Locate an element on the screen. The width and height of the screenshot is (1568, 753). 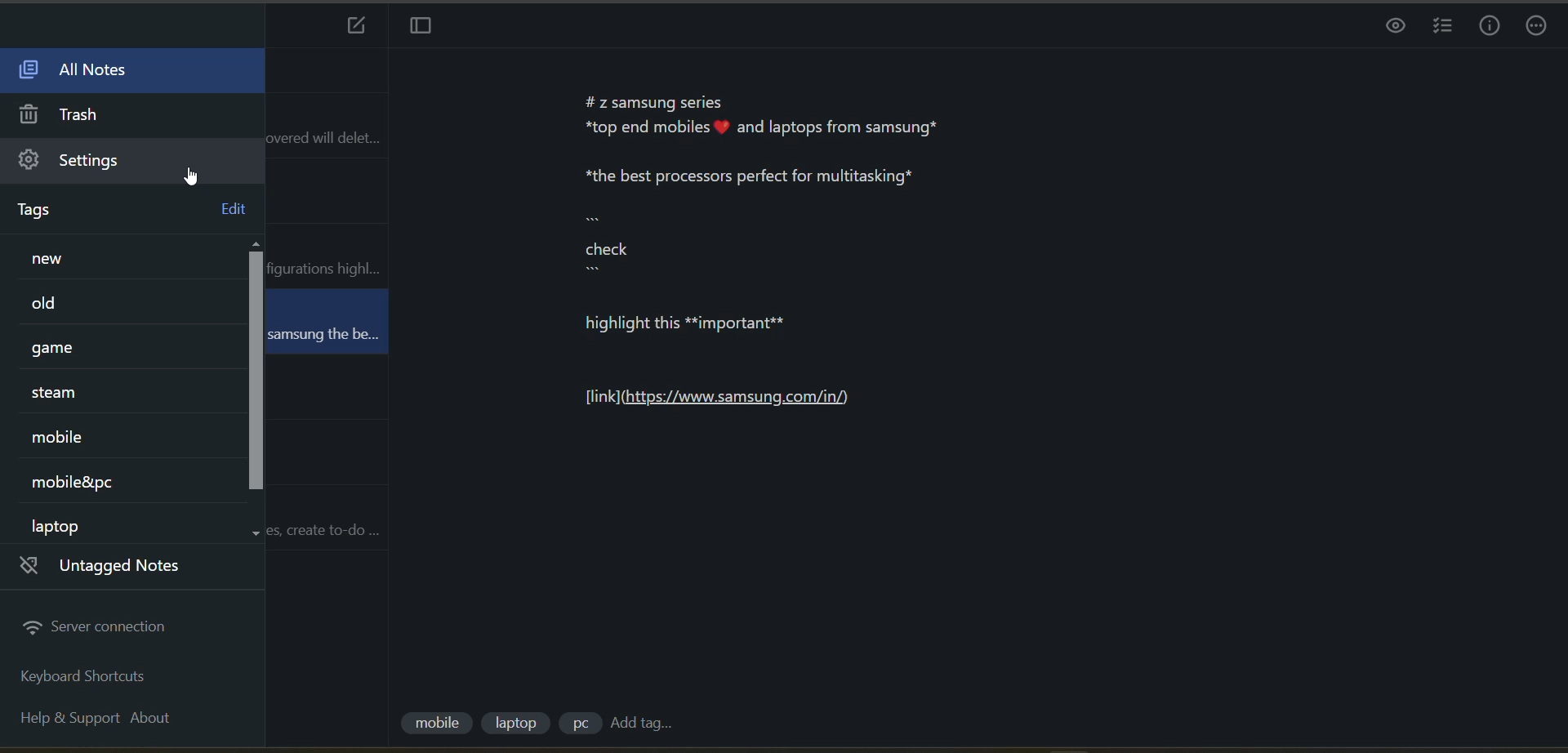
tag 6 is located at coordinates (89, 480).